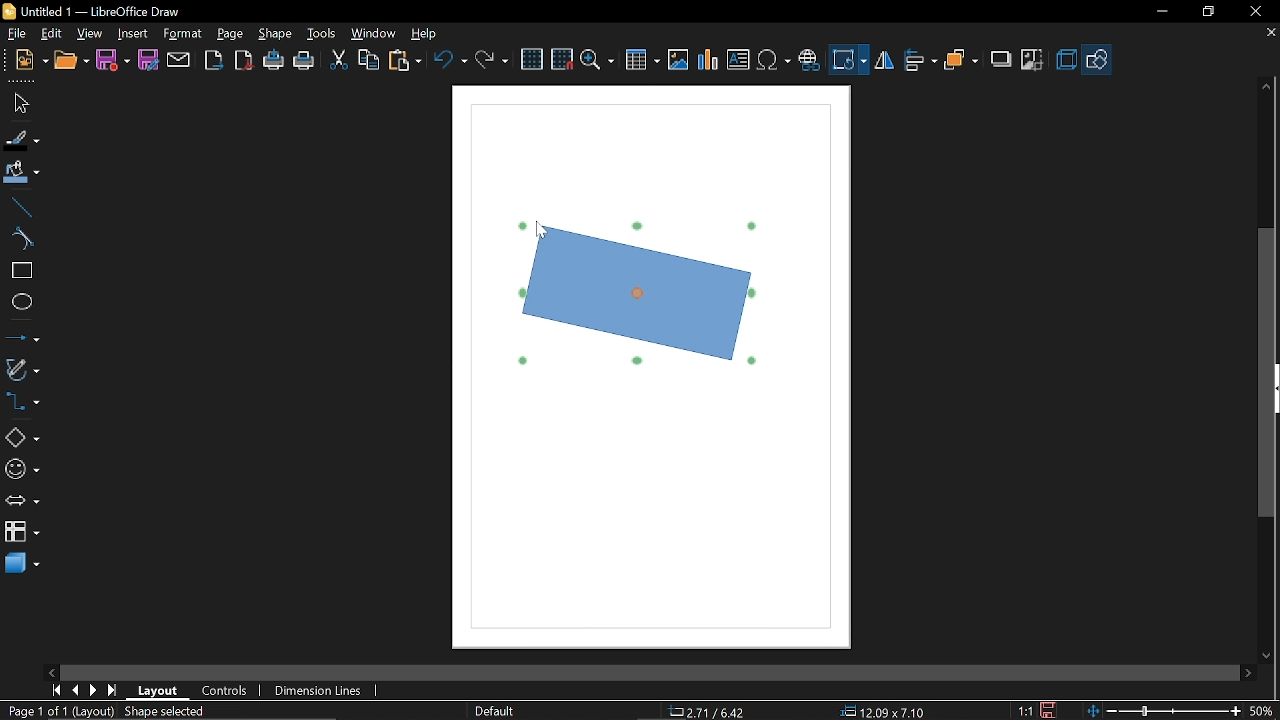 This screenshot has height=720, width=1280. What do you see at coordinates (562, 59) in the screenshot?
I see `snap to grid` at bounding box center [562, 59].